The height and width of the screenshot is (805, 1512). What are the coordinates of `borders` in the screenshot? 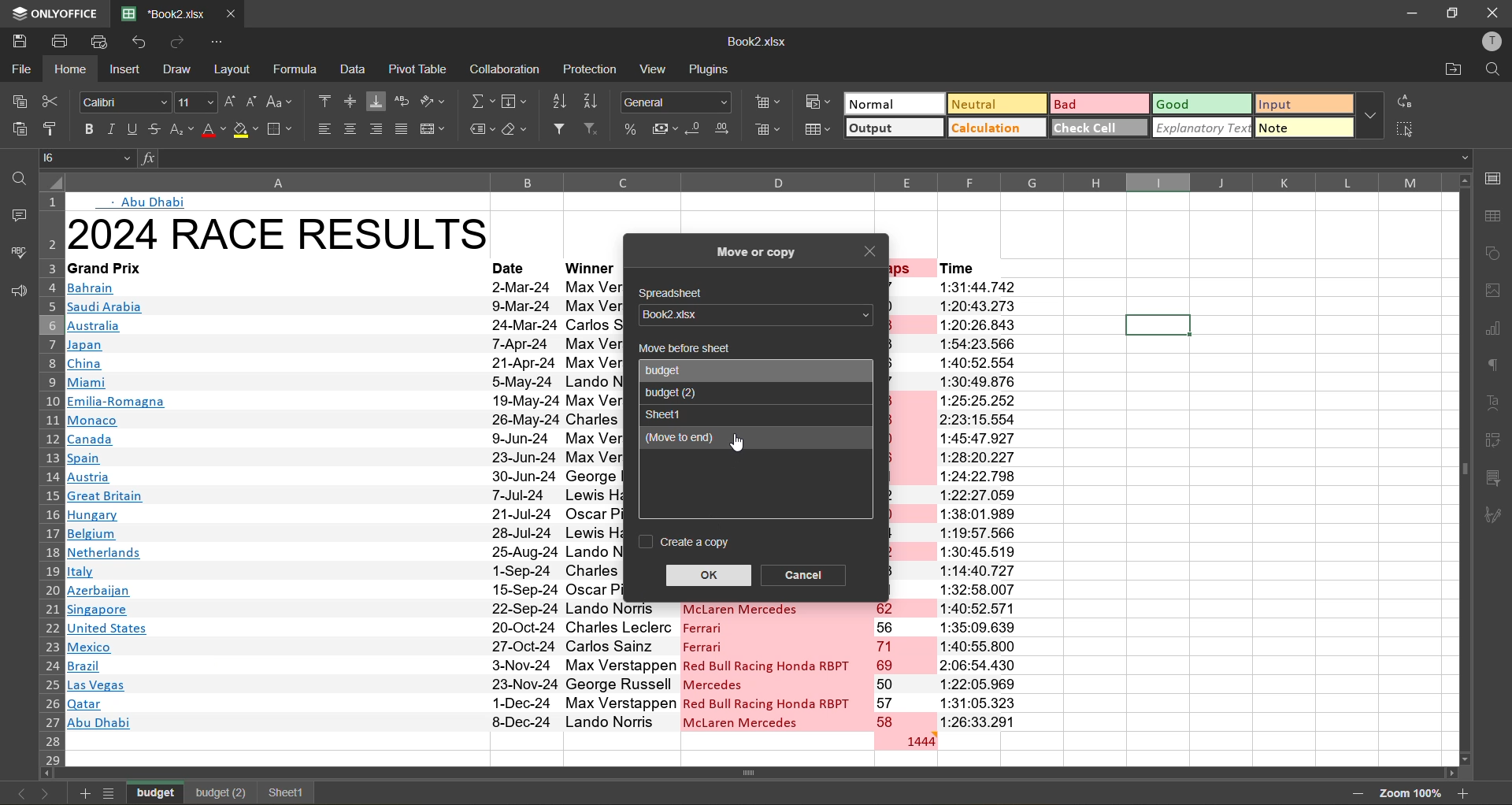 It's located at (282, 129).